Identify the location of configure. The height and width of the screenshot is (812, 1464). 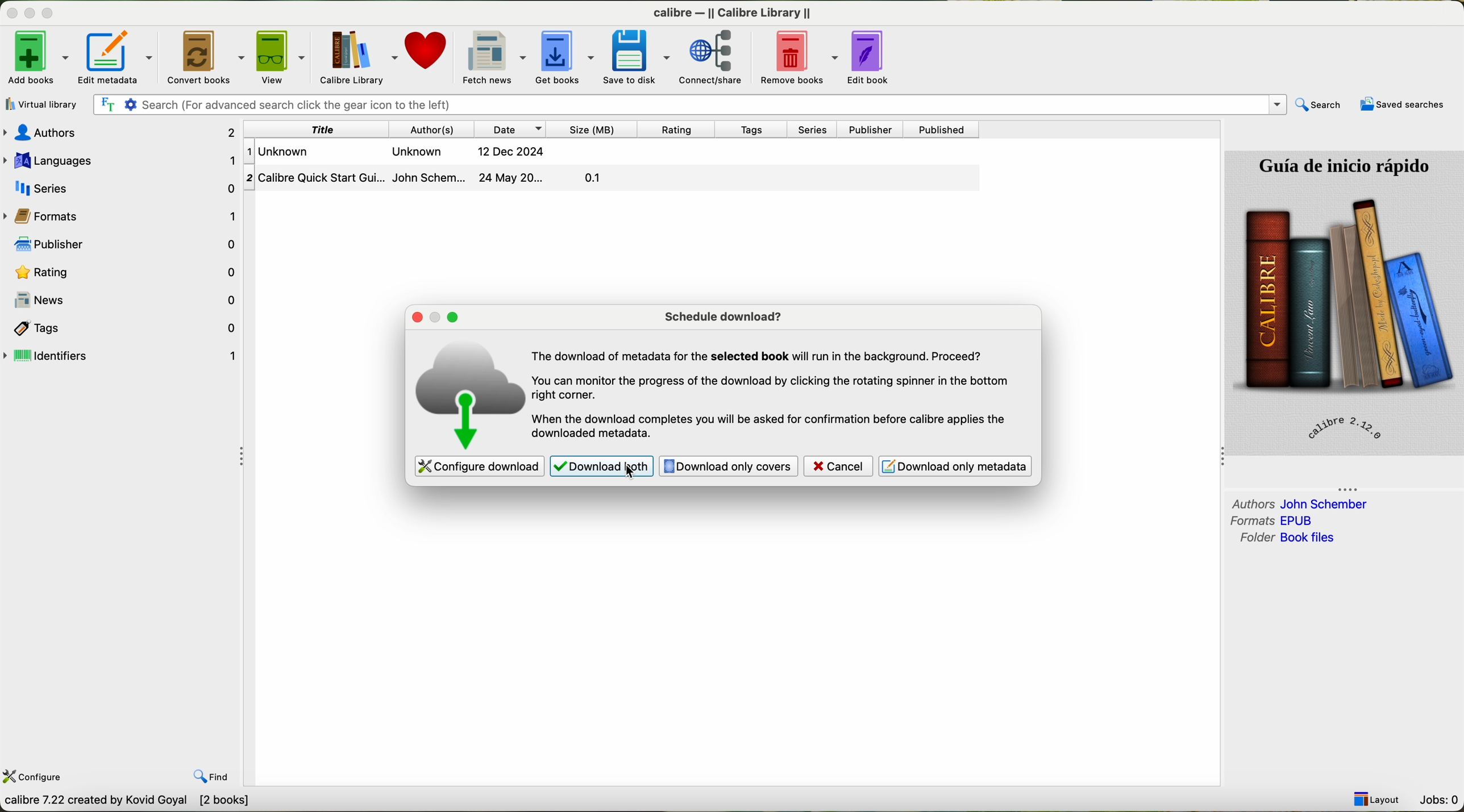
(34, 778).